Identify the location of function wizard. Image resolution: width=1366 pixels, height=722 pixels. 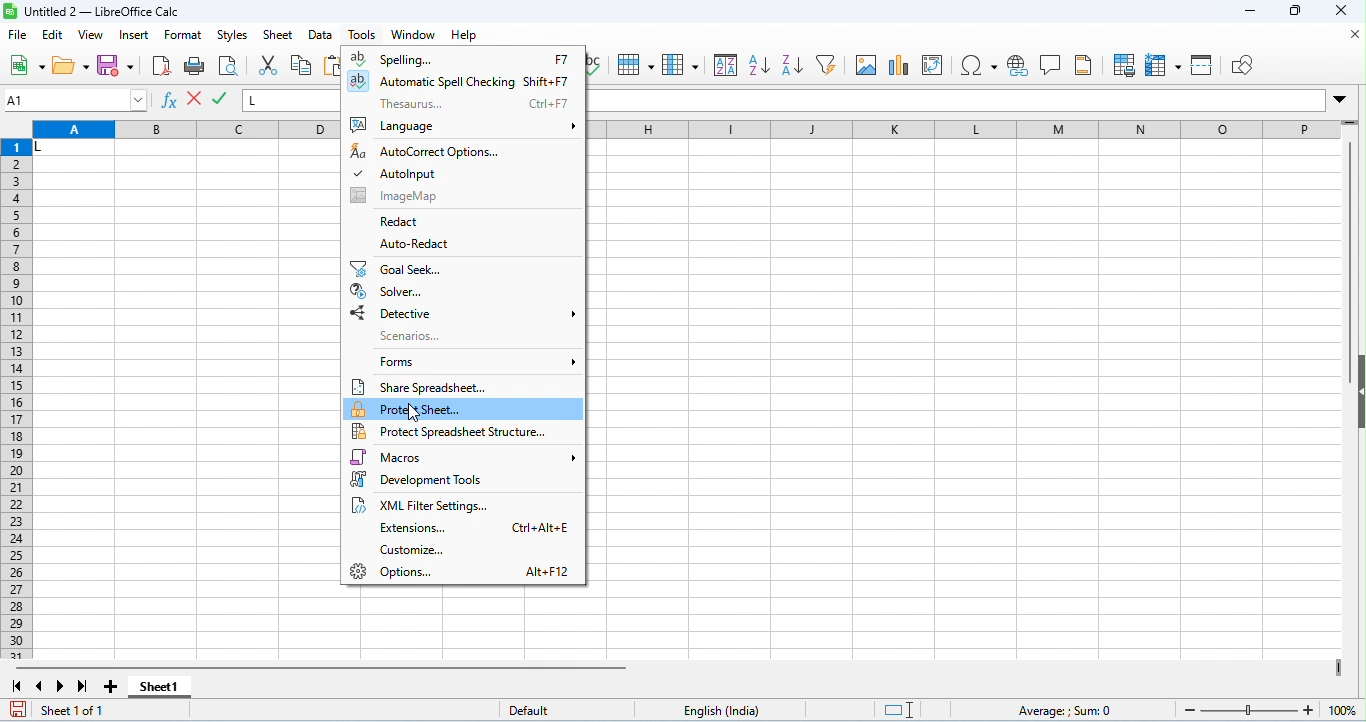
(171, 102).